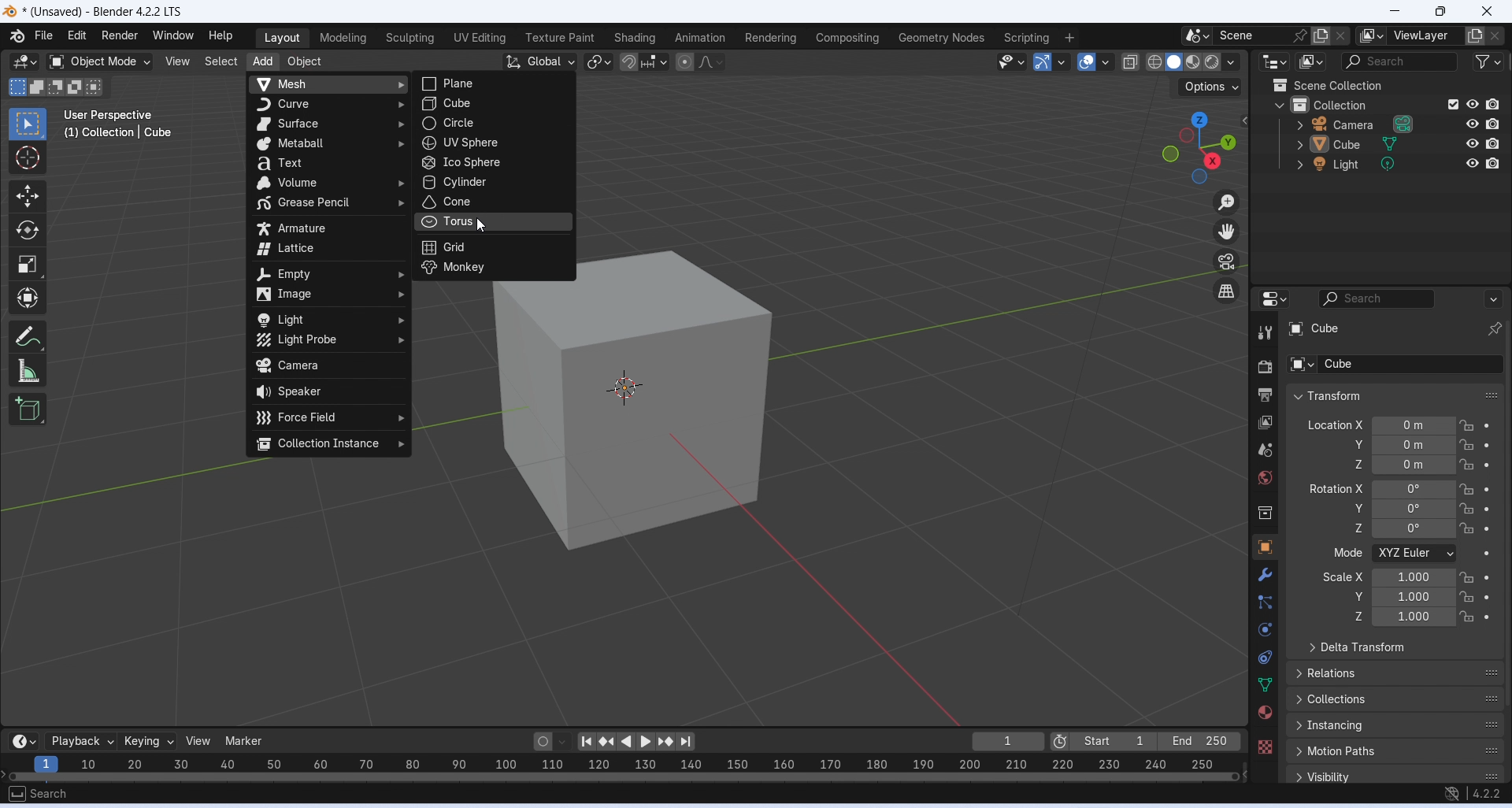  I want to click on Editor type, so click(1273, 298).